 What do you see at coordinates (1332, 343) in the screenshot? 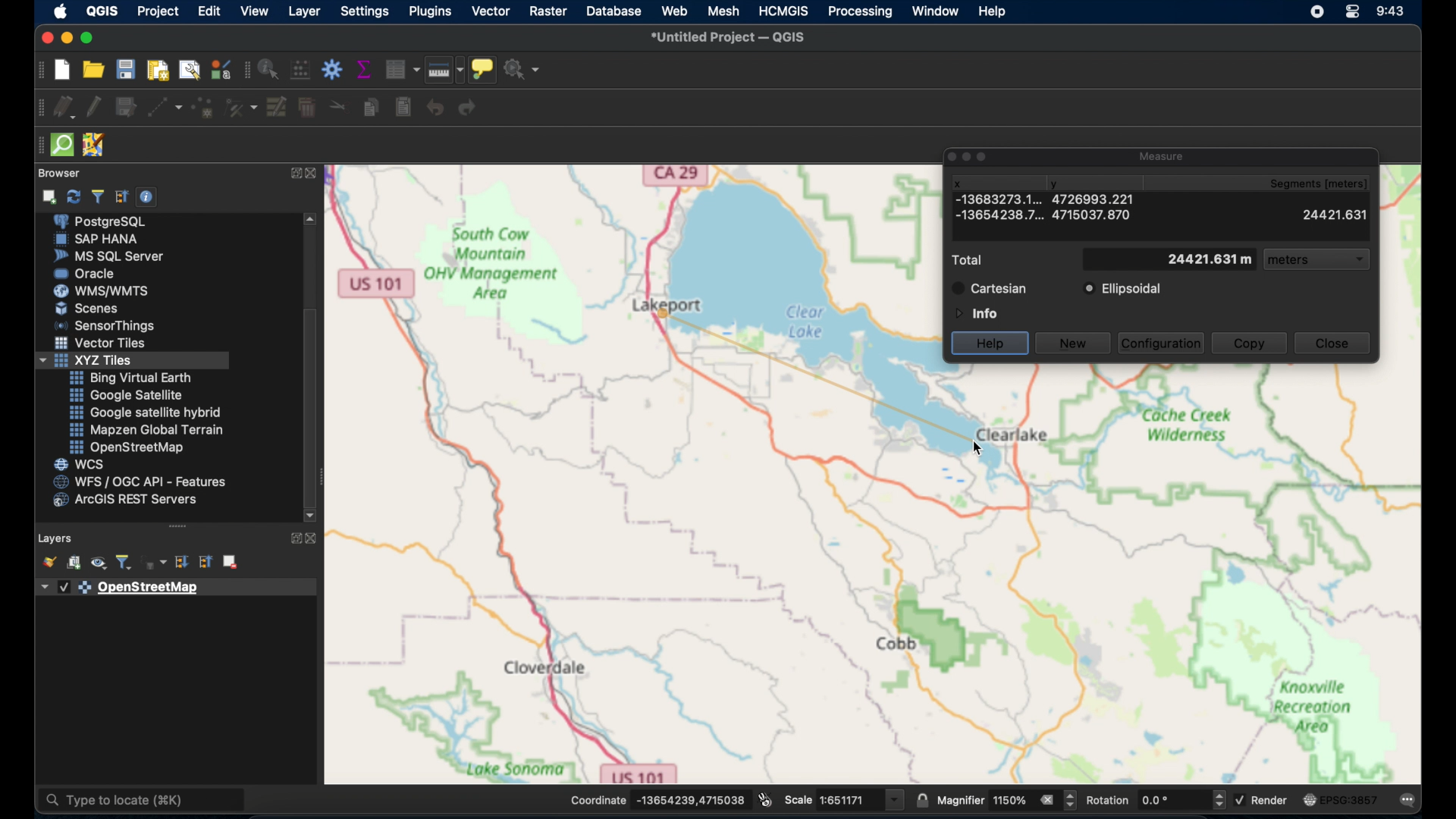
I see `close` at bounding box center [1332, 343].